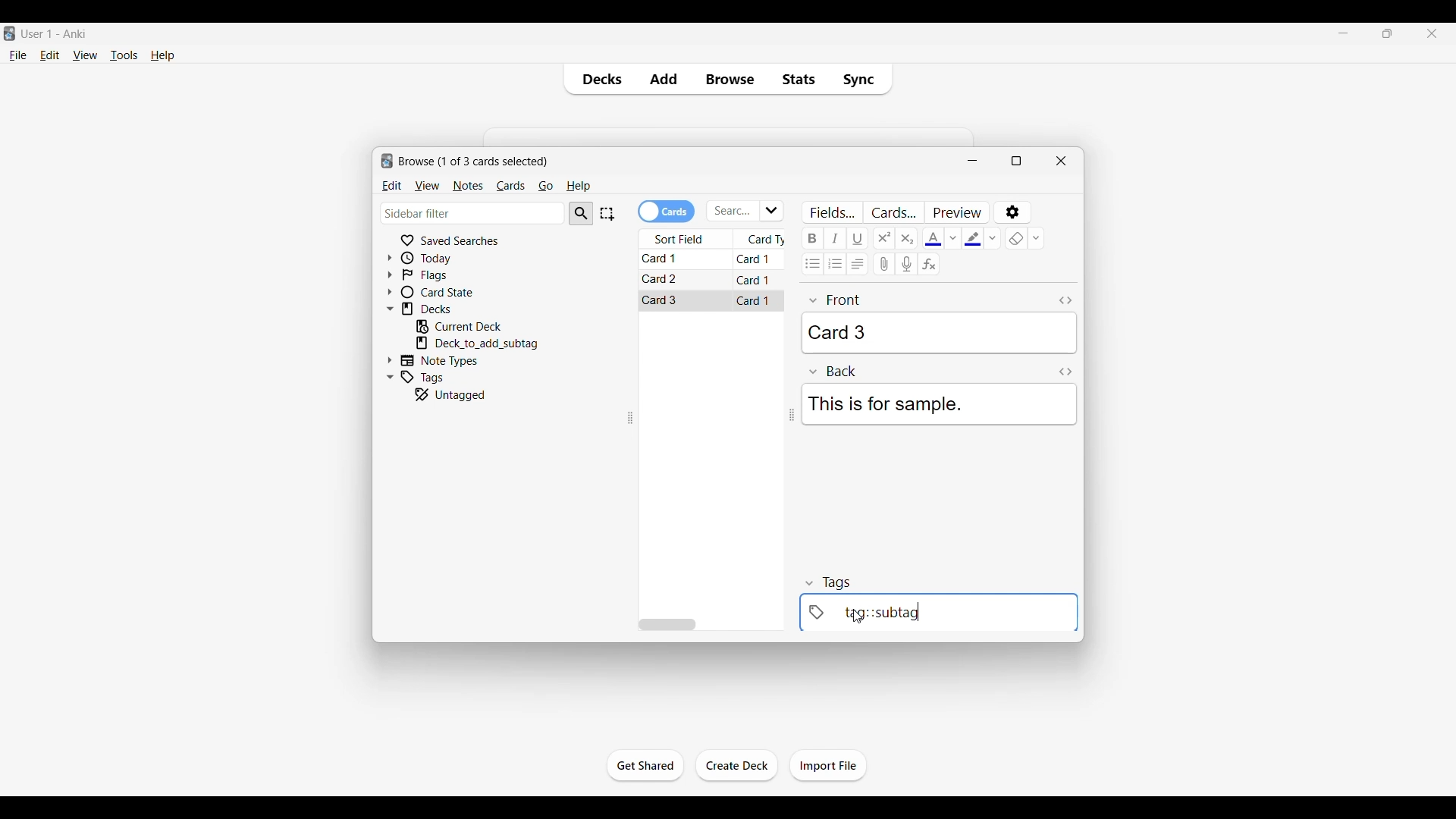  I want to click on Click to create another deck, so click(737, 765).